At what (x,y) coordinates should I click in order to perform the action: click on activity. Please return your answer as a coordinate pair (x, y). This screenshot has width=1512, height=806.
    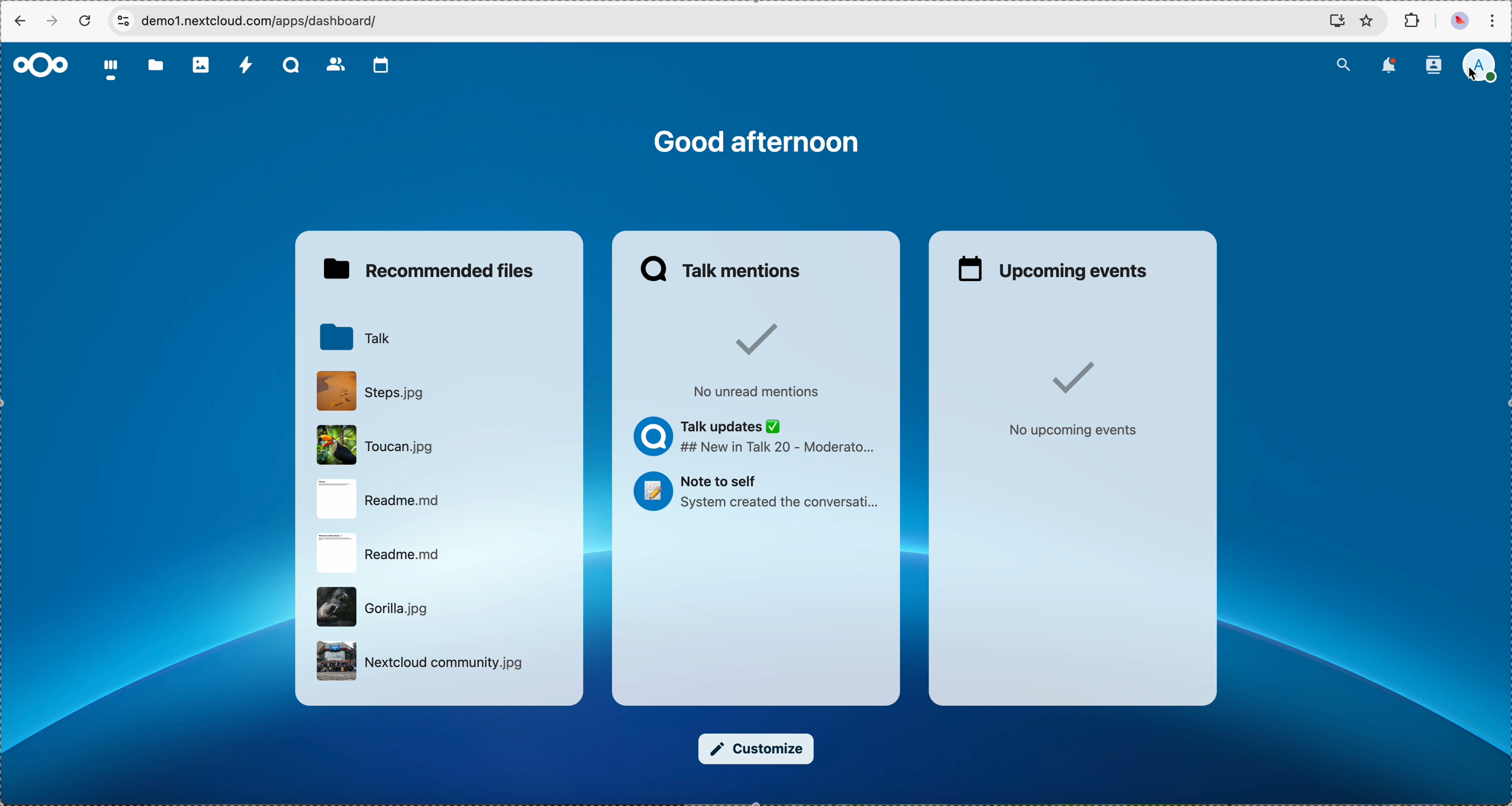
    Looking at the image, I should click on (247, 66).